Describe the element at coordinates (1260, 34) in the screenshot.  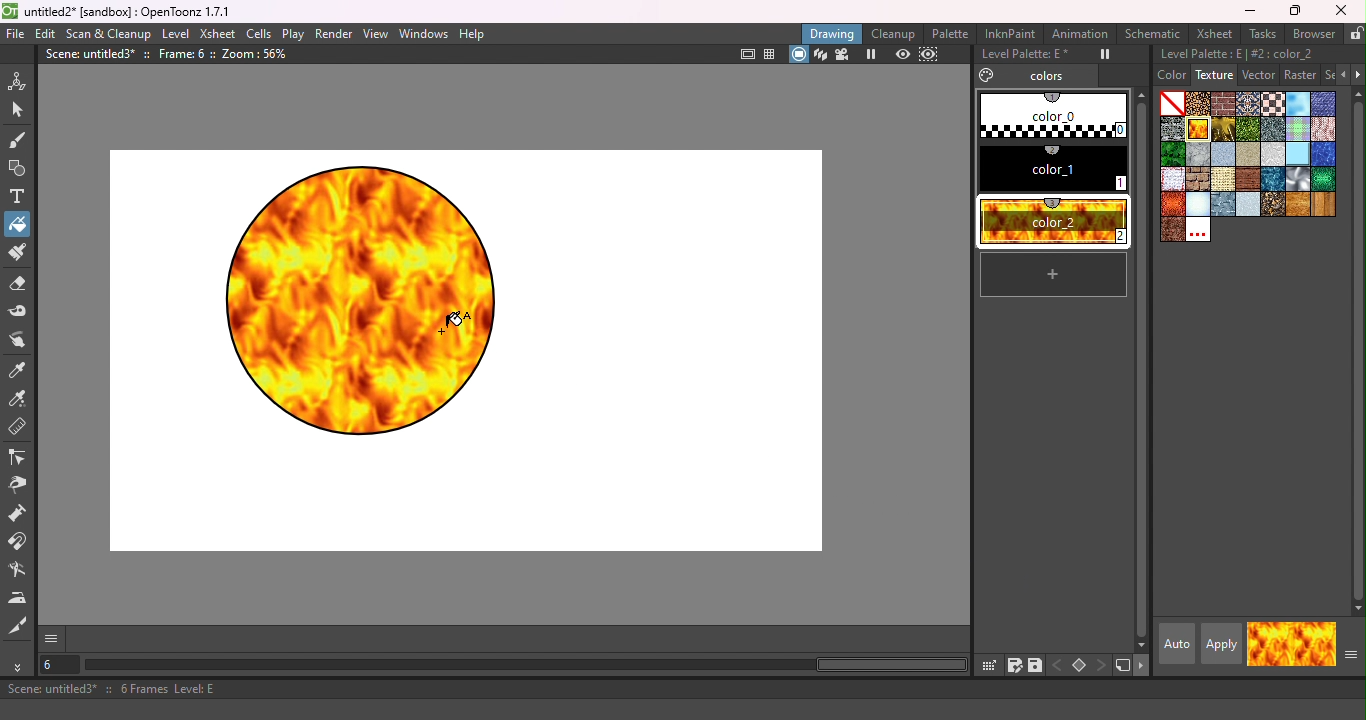
I see `Tasks` at that location.